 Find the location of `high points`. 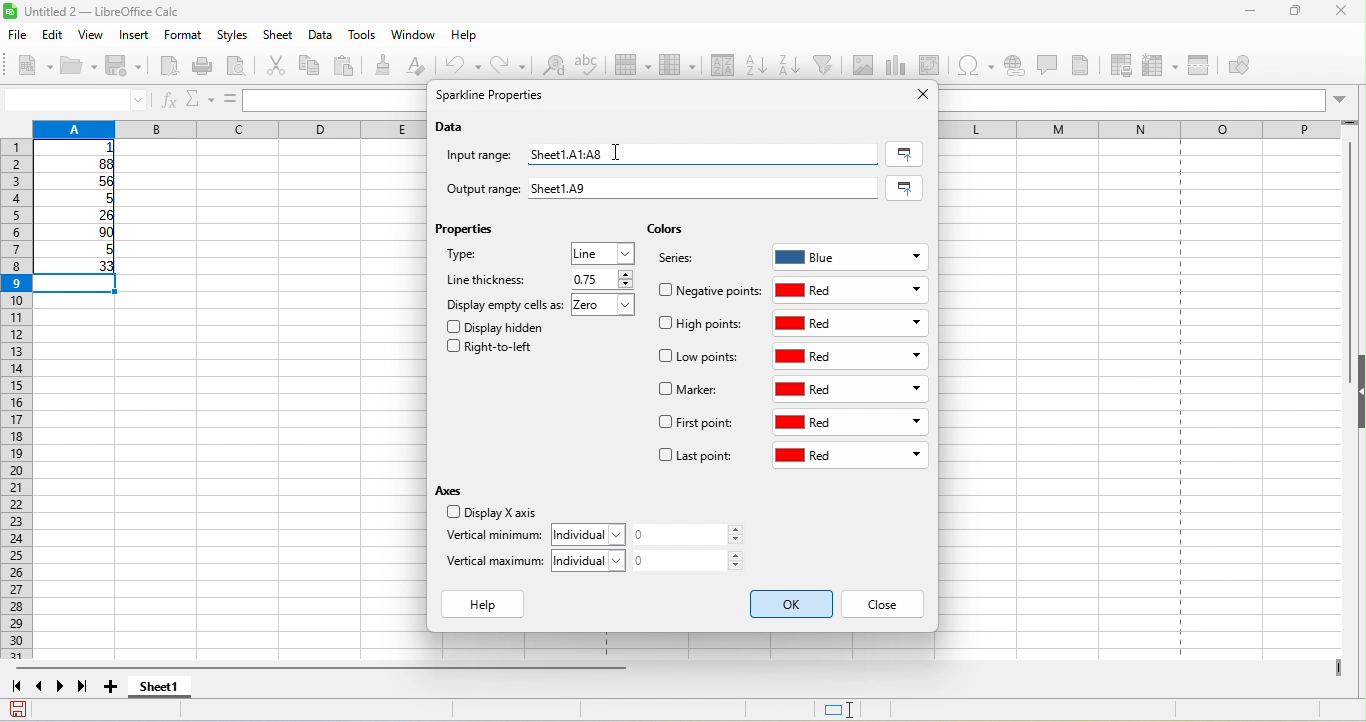

high points is located at coordinates (702, 327).